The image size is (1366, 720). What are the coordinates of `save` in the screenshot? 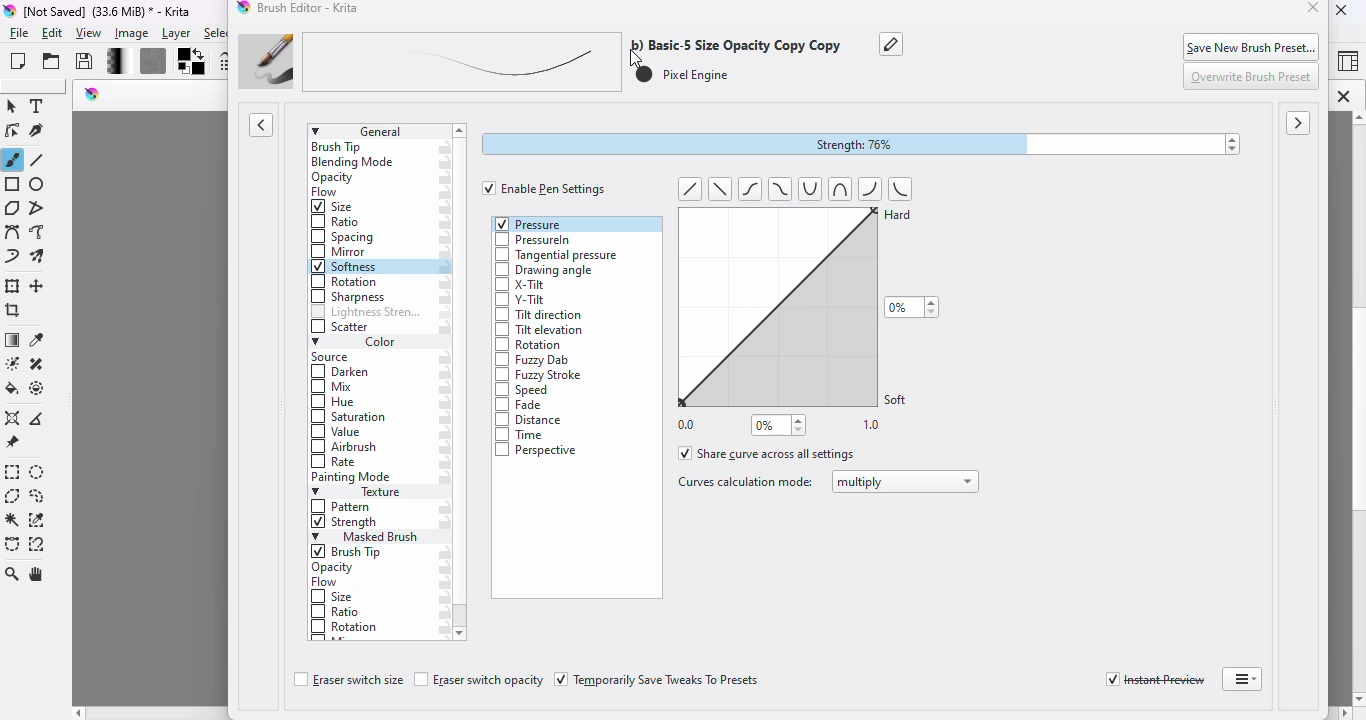 It's located at (85, 61).